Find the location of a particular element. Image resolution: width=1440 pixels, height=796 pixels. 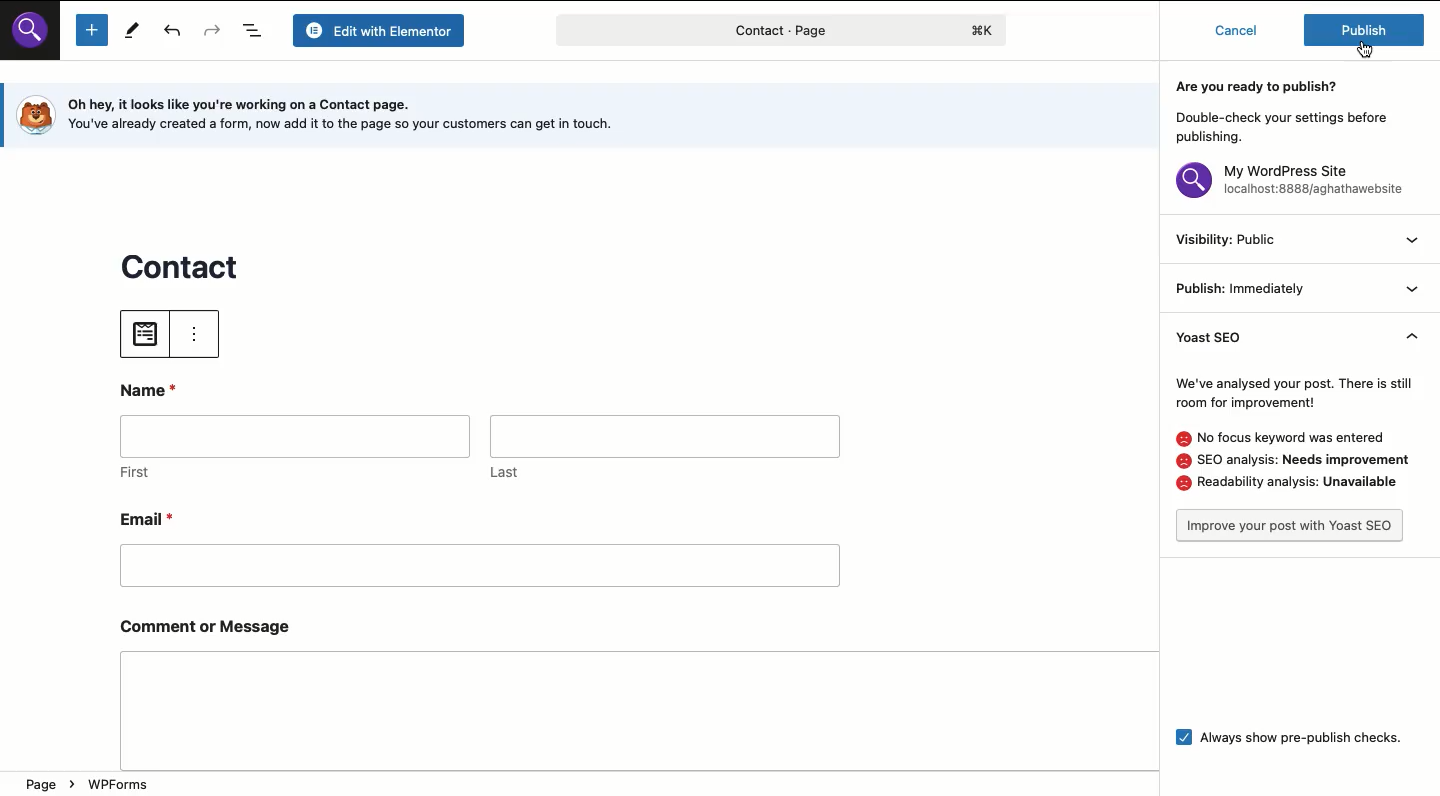

Tools is located at coordinates (130, 30).